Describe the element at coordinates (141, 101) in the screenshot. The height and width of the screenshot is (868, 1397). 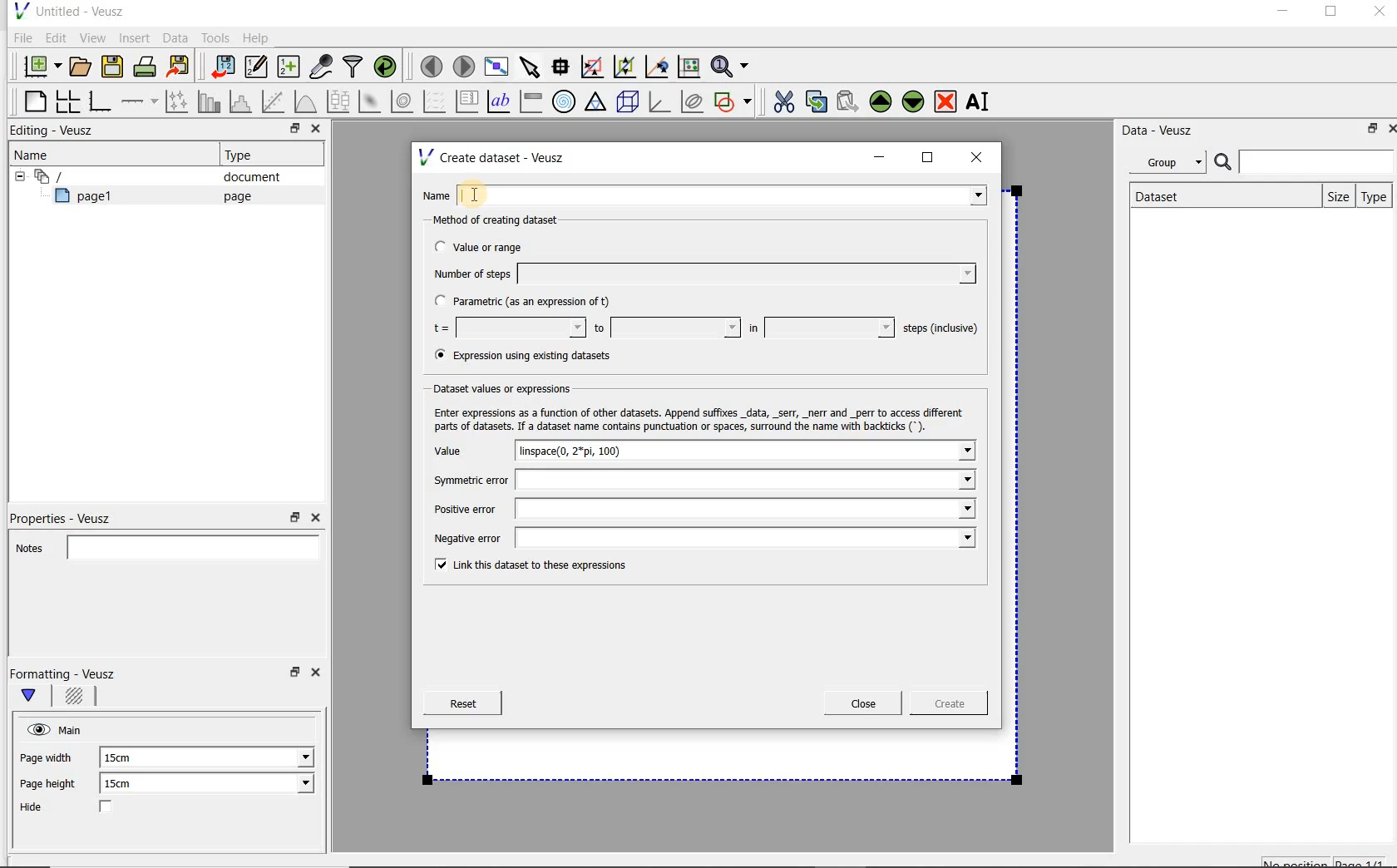
I see `add an axis to a plot` at that location.